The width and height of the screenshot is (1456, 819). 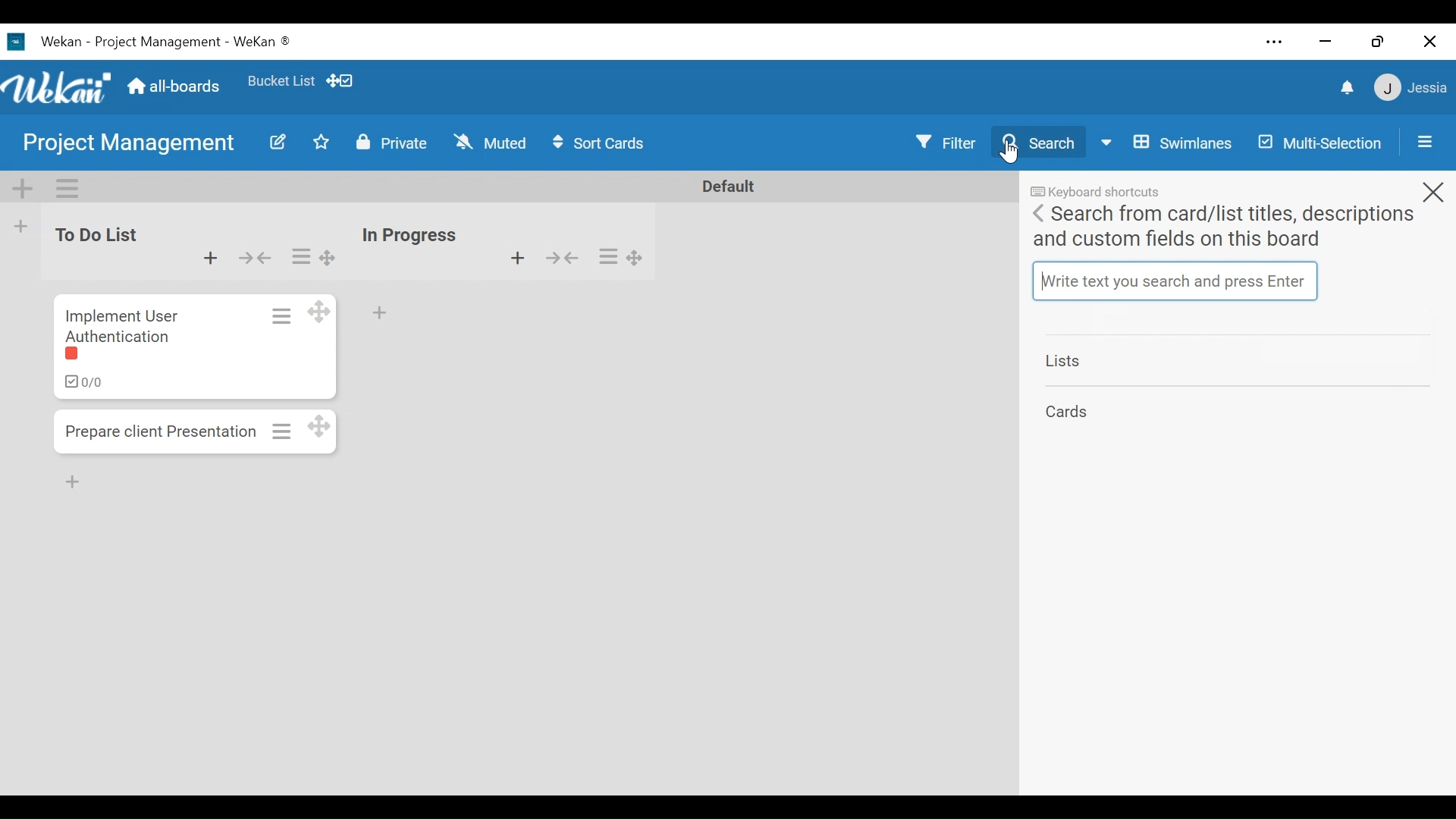 What do you see at coordinates (1275, 43) in the screenshot?
I see `Settings and more` at bounding box center [1275, 43].